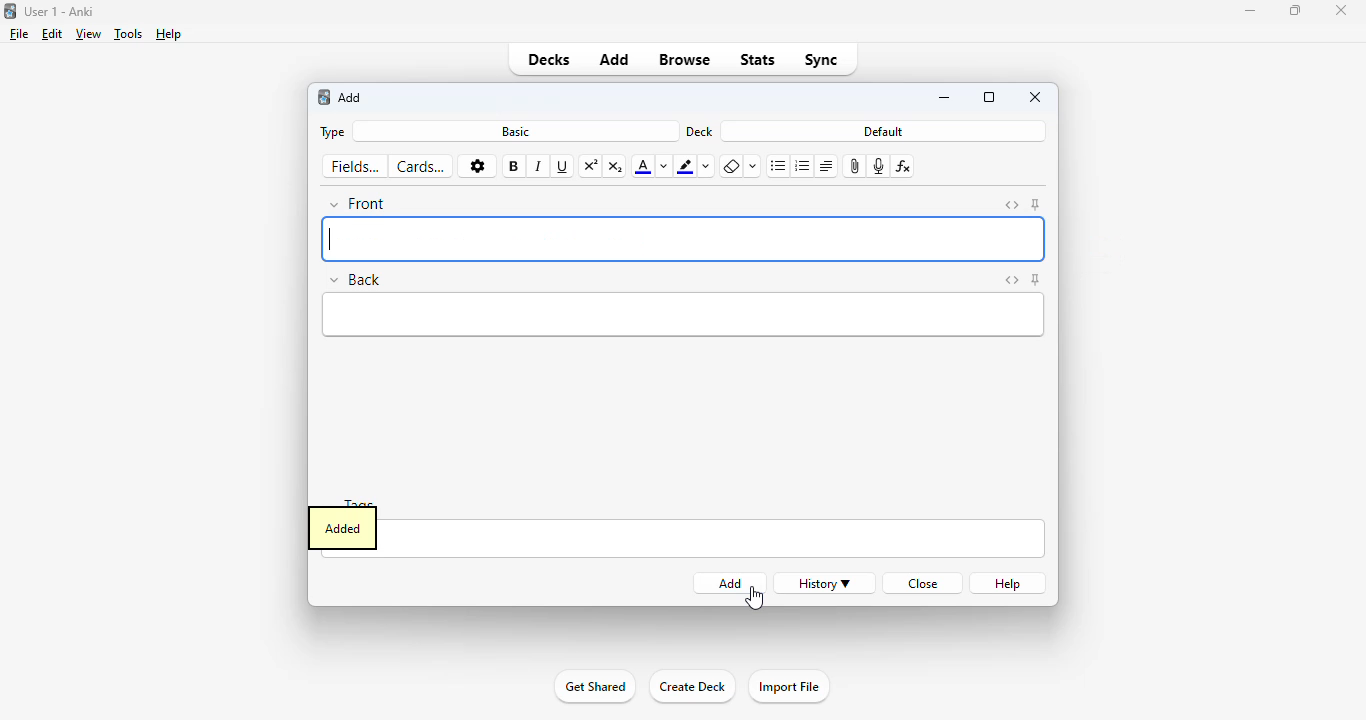 The height and width of the screenshot is (720, 1366). What do you see at coordinates (476, 166) in the screenshot?
I see `options` at bounding box center [476, 166].